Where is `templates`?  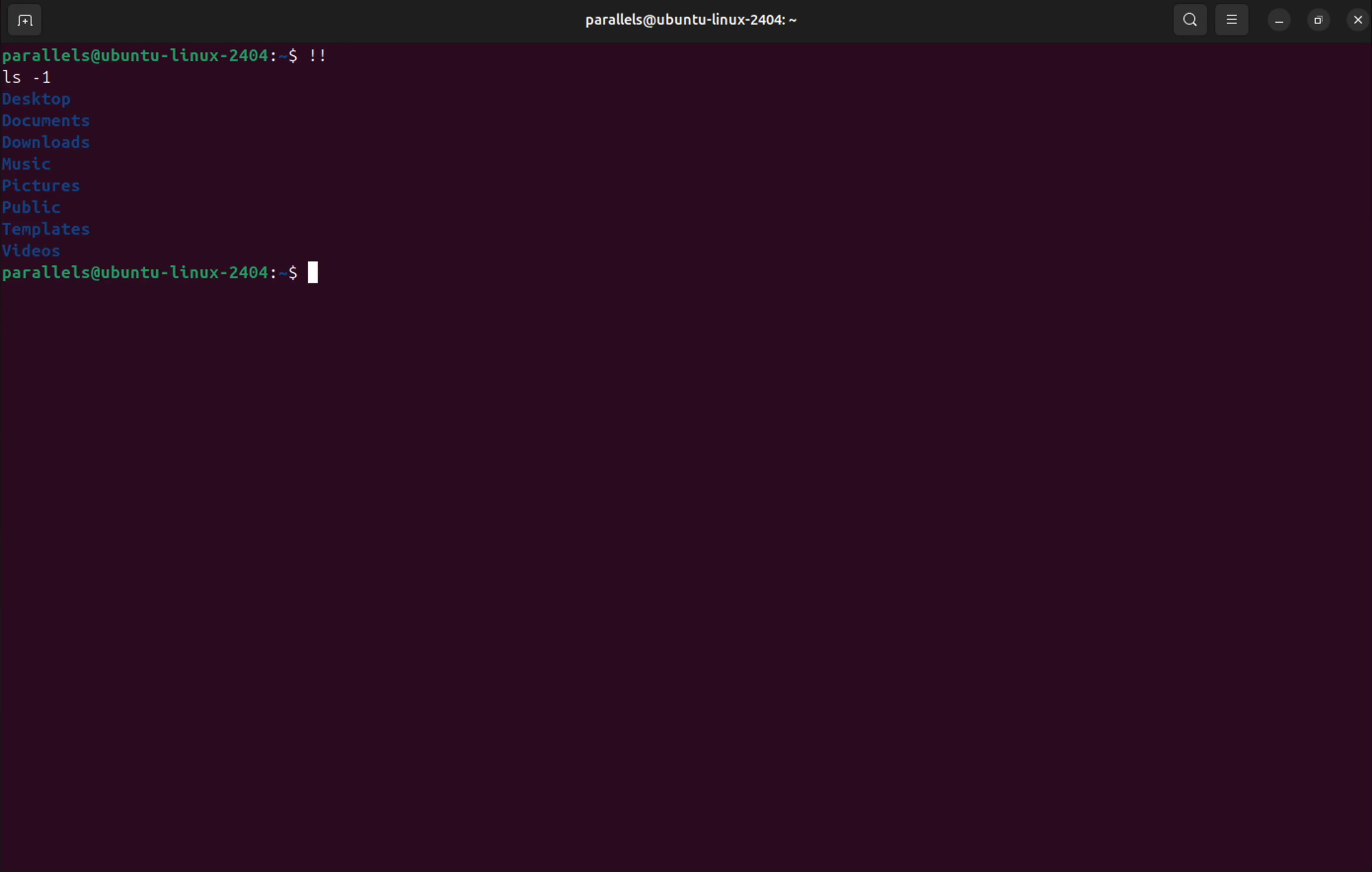 templates is located at coordinates (49, 230).